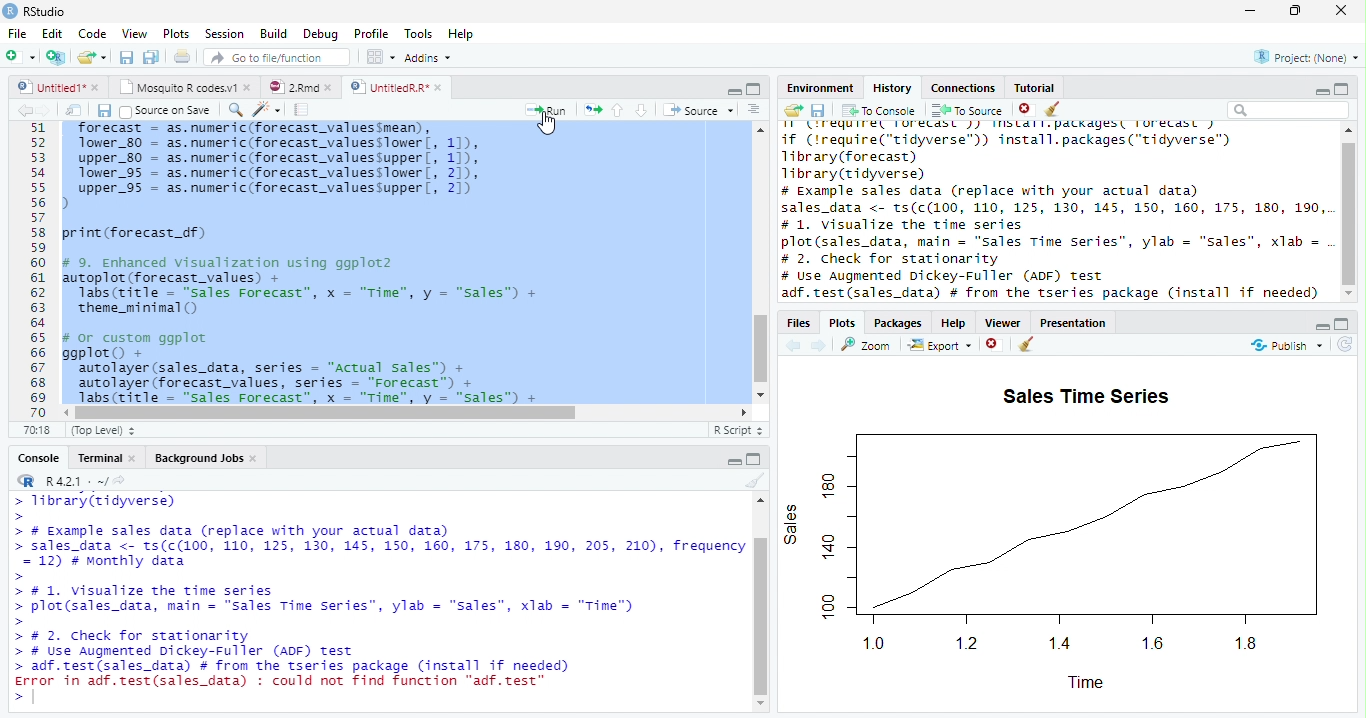 Image resolution: width=1366 pixels, height=718 pixels. What do you see at coordinates (417, 33) in the screenshot?
I see `Tools` at bounding box center [417, 33].